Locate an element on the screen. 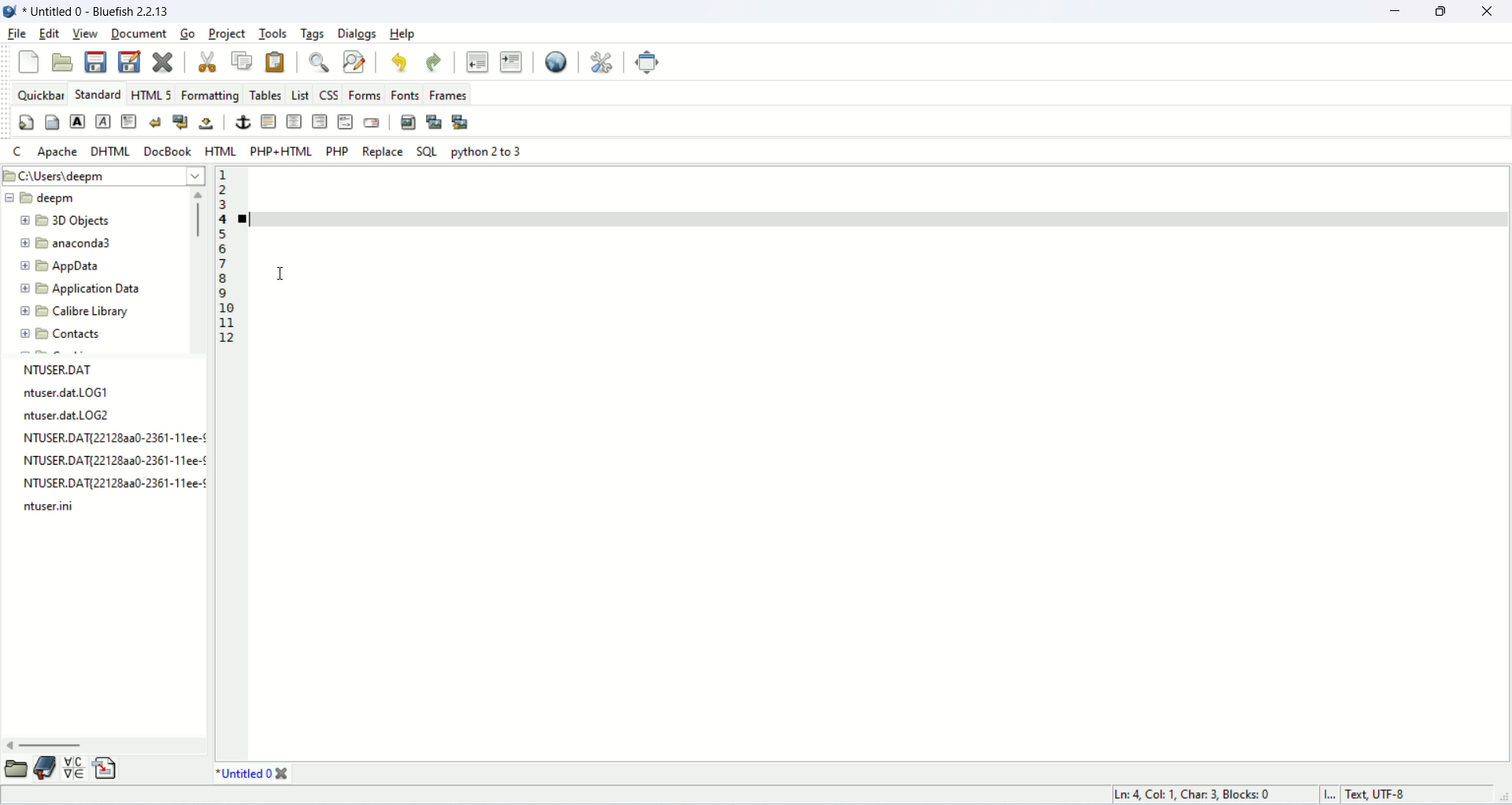 The image size is (1512, 805). file is located at coordinates (15, 32).